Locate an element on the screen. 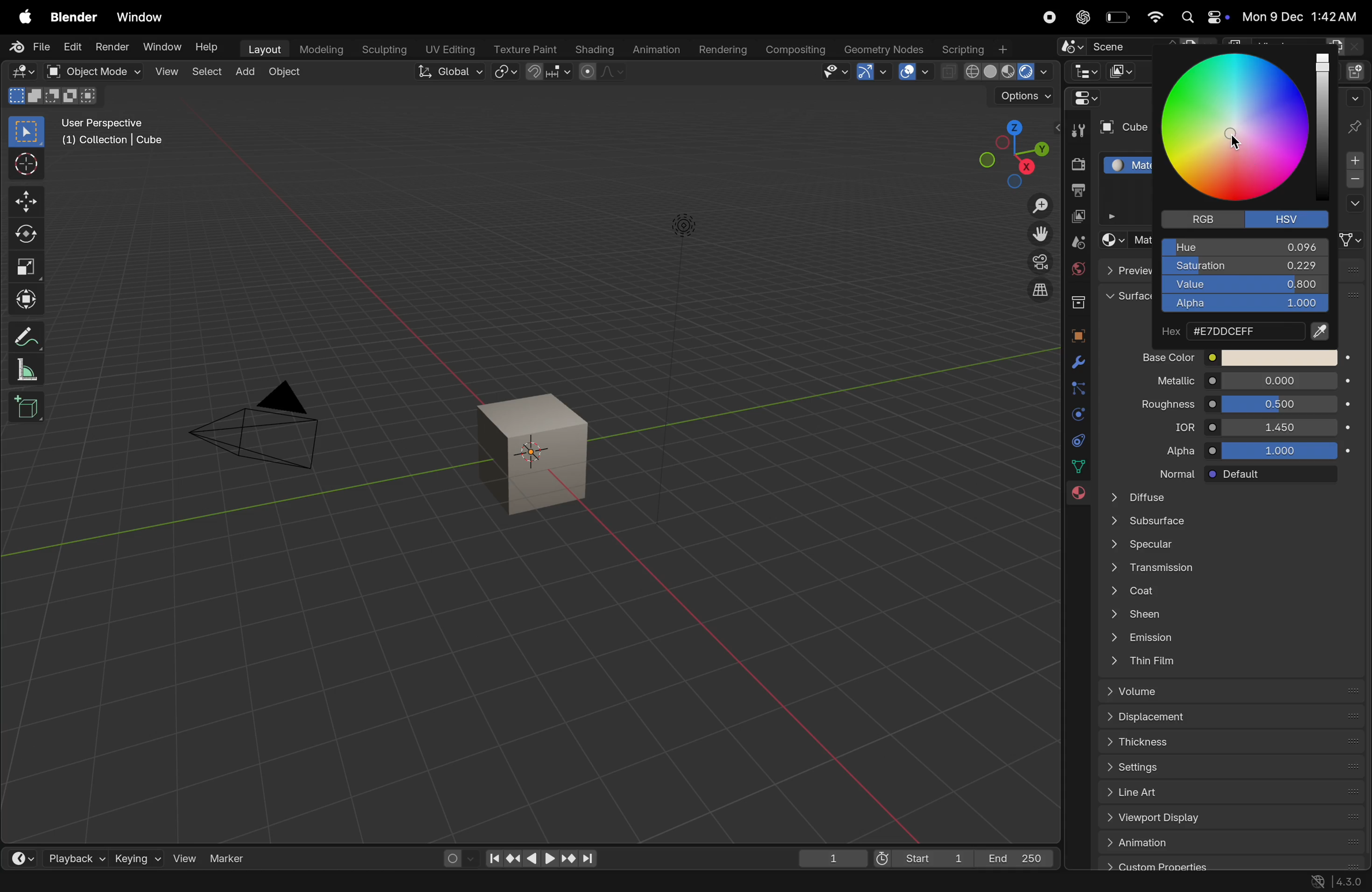 The height and width of the screenshot is (892, 1372). marker is located at coordinates (232, 857).